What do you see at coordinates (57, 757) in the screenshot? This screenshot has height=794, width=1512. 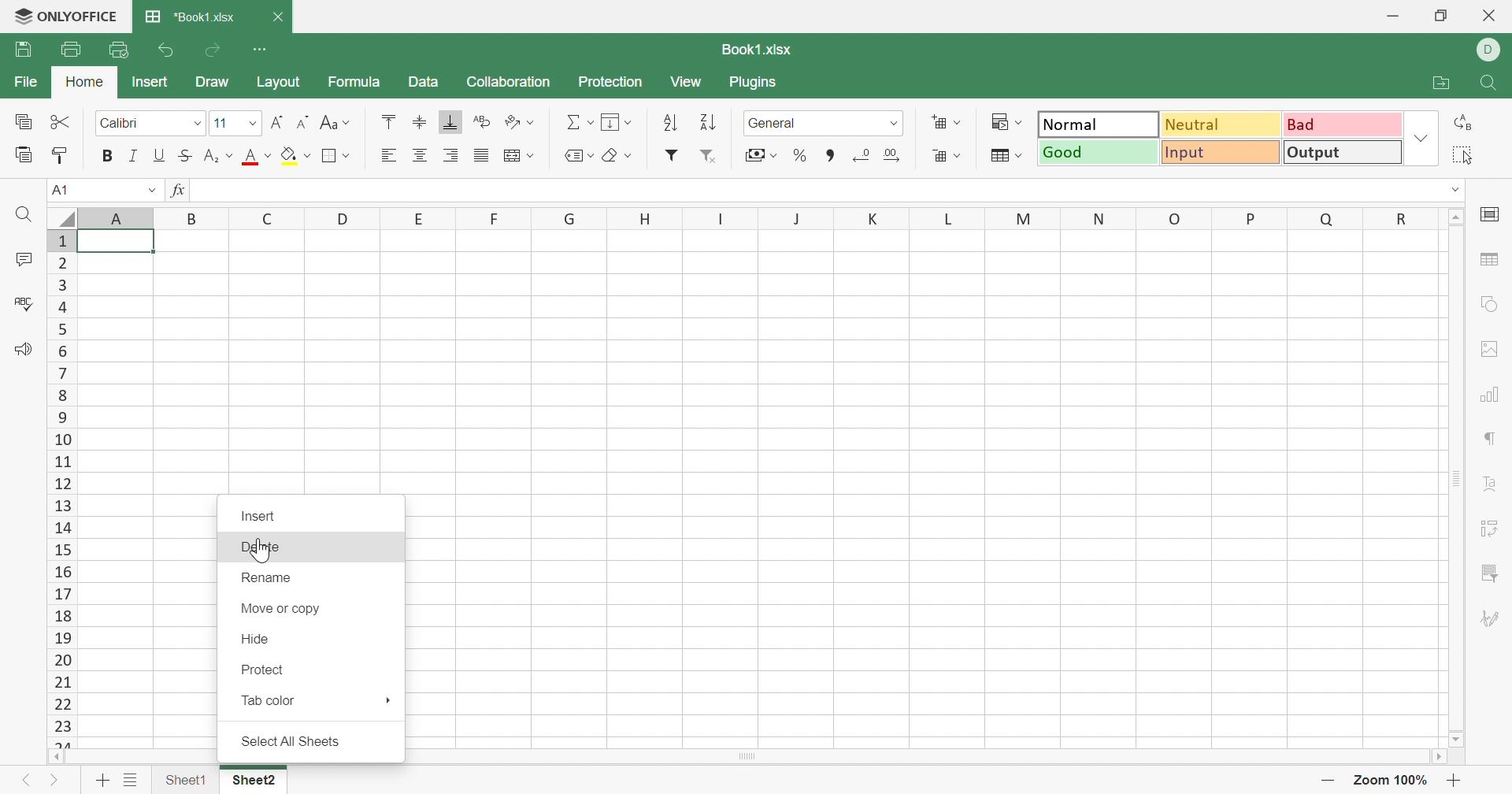 I see `Scroll Left` at bounding box center [57, 757].